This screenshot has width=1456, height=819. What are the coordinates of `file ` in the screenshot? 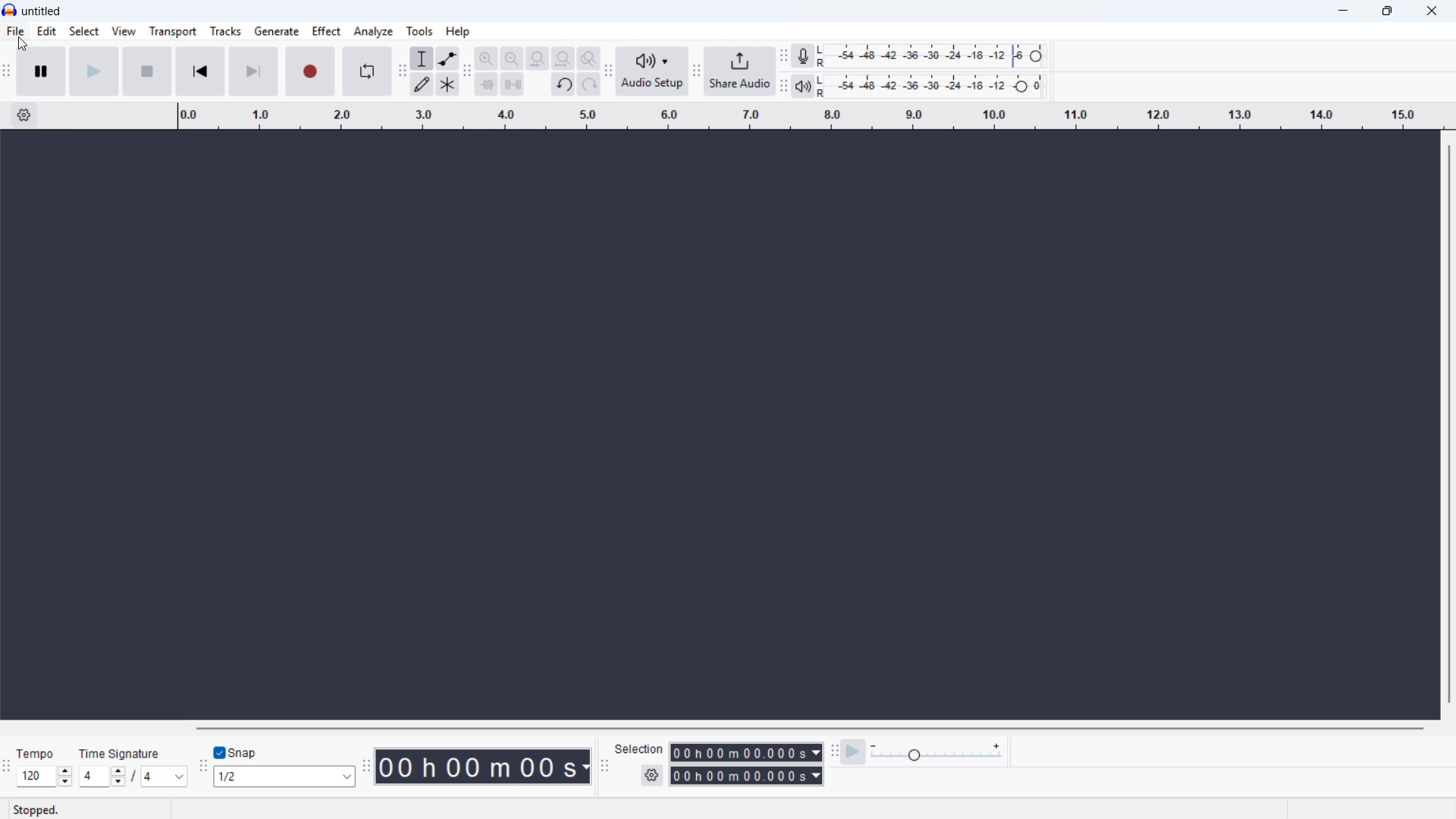 It's located at (16, 33).